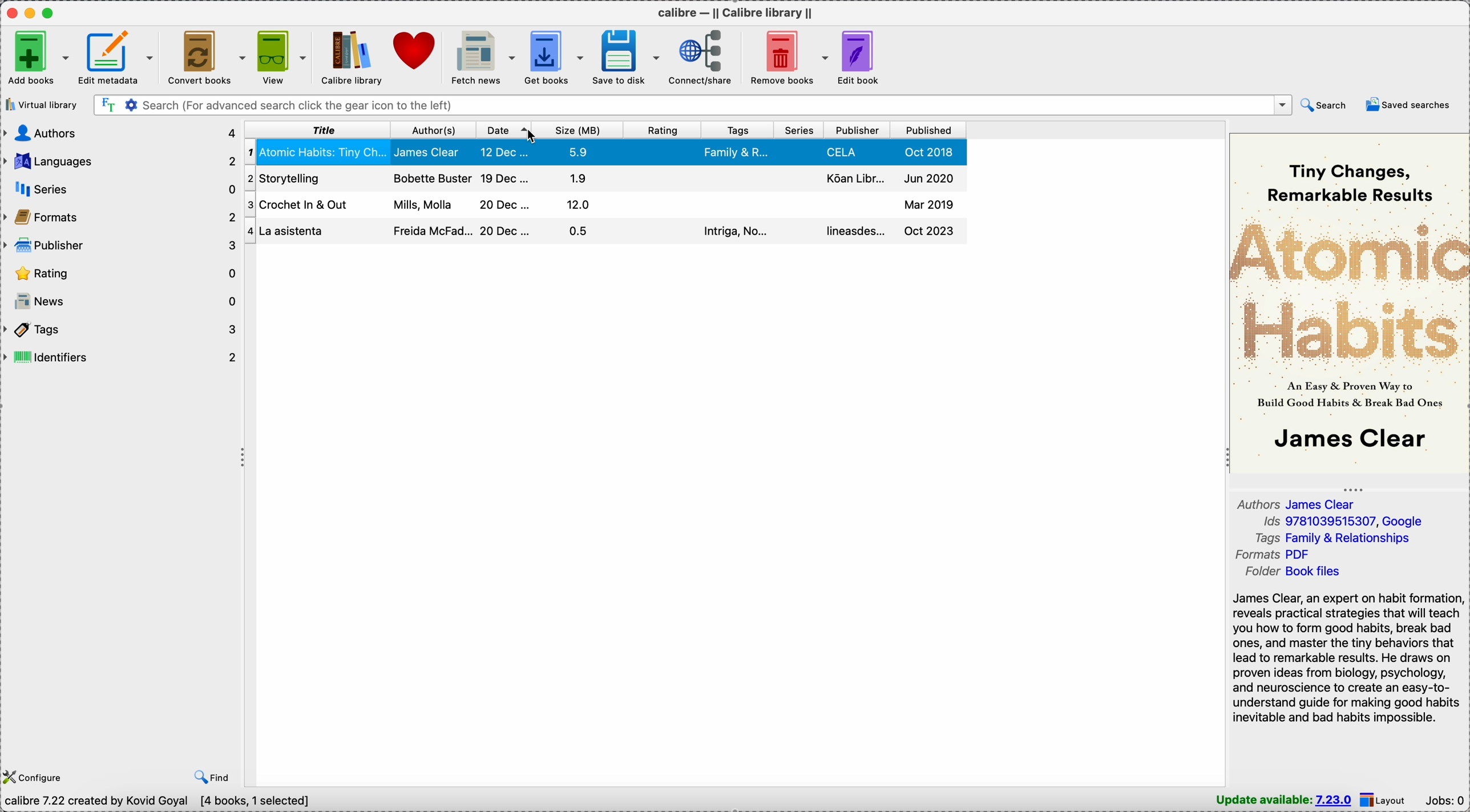  Describe the element at coordinates (120, 134) in the screenshot. I see `authors` at that location.